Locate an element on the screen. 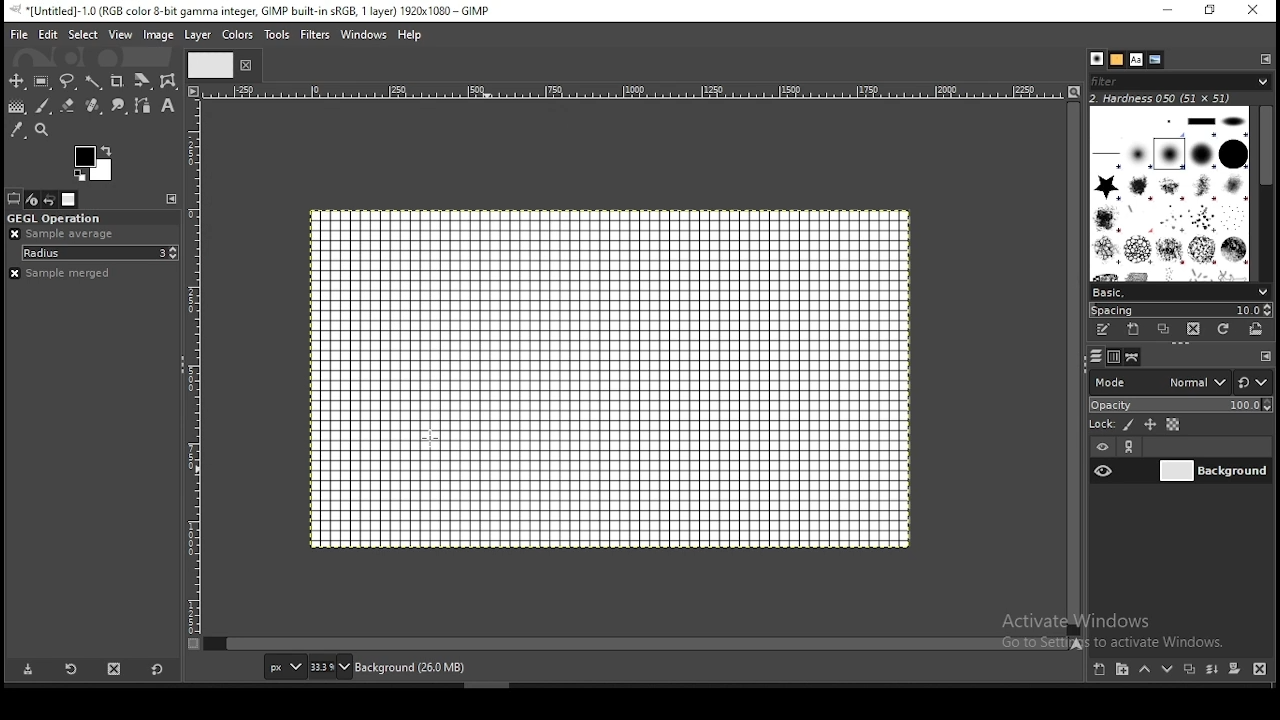 This screenshot has width=1280, height=720. background (19.3mb) is located at coordinates (410, 666).